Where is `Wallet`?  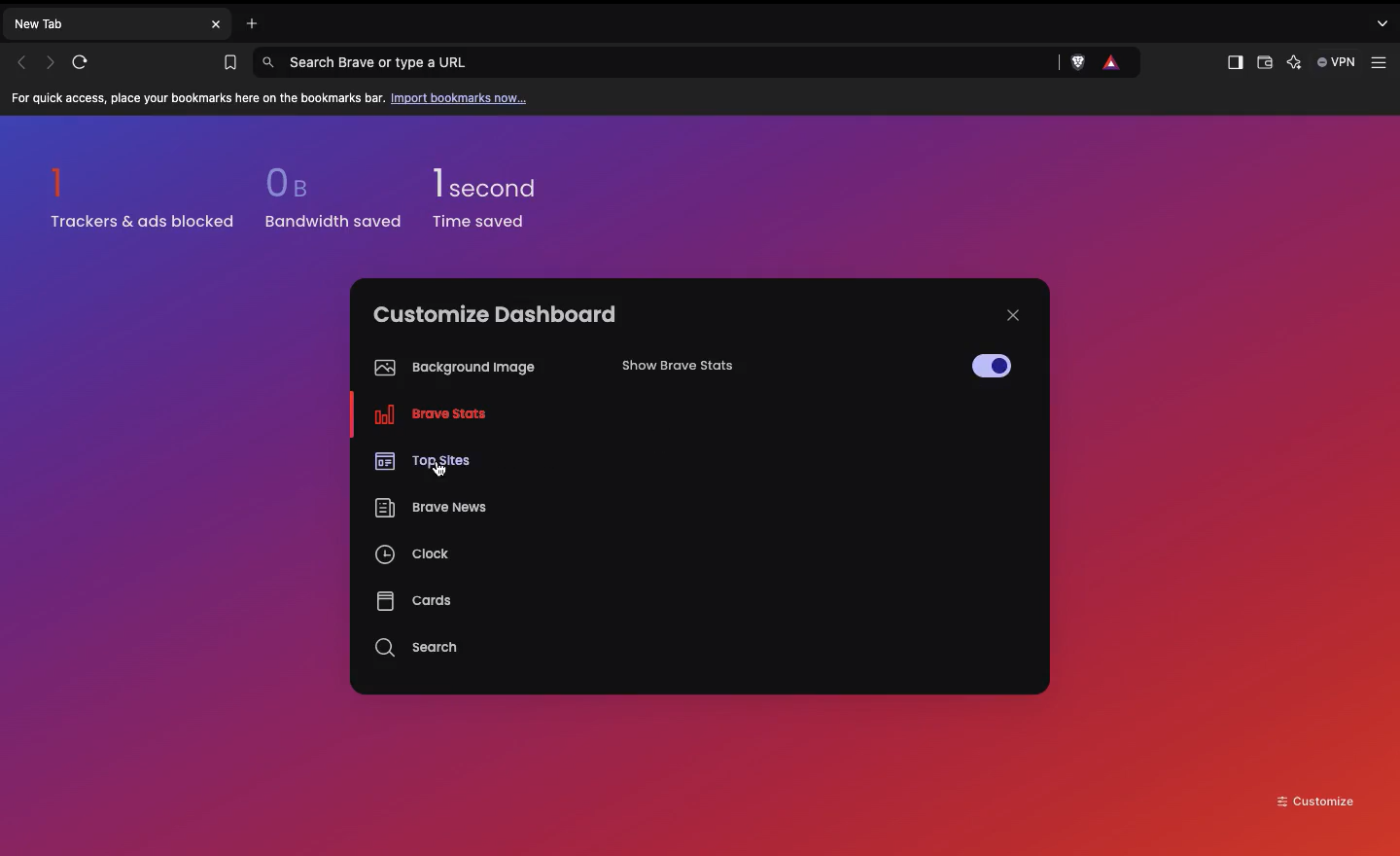
Wallet is located at coordinates (1263, 65).